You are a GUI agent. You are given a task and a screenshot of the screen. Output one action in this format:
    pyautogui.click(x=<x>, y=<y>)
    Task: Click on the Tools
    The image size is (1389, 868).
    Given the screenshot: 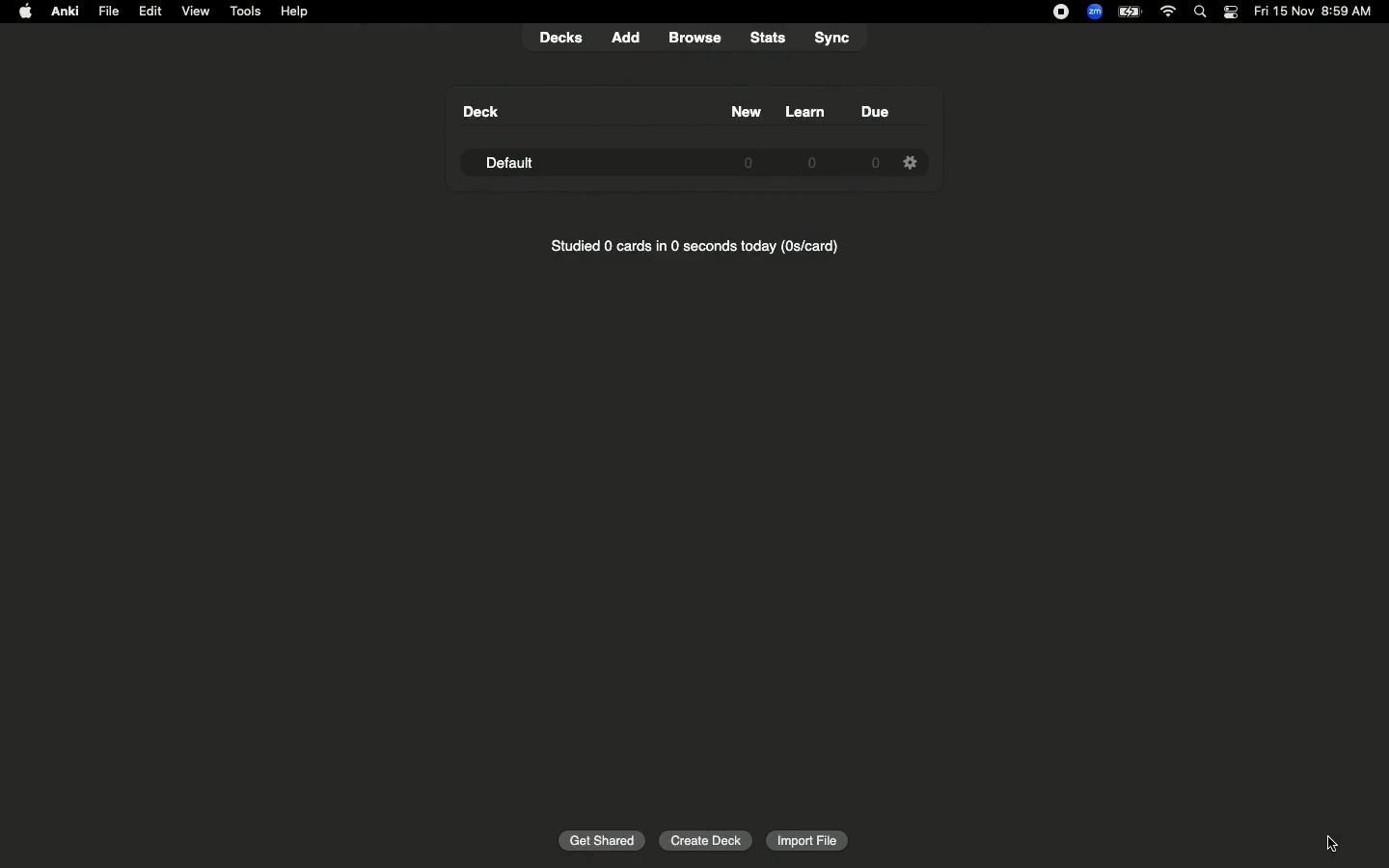 What is the action you would take?
    pyautogui.click(x=244, y=12)
    